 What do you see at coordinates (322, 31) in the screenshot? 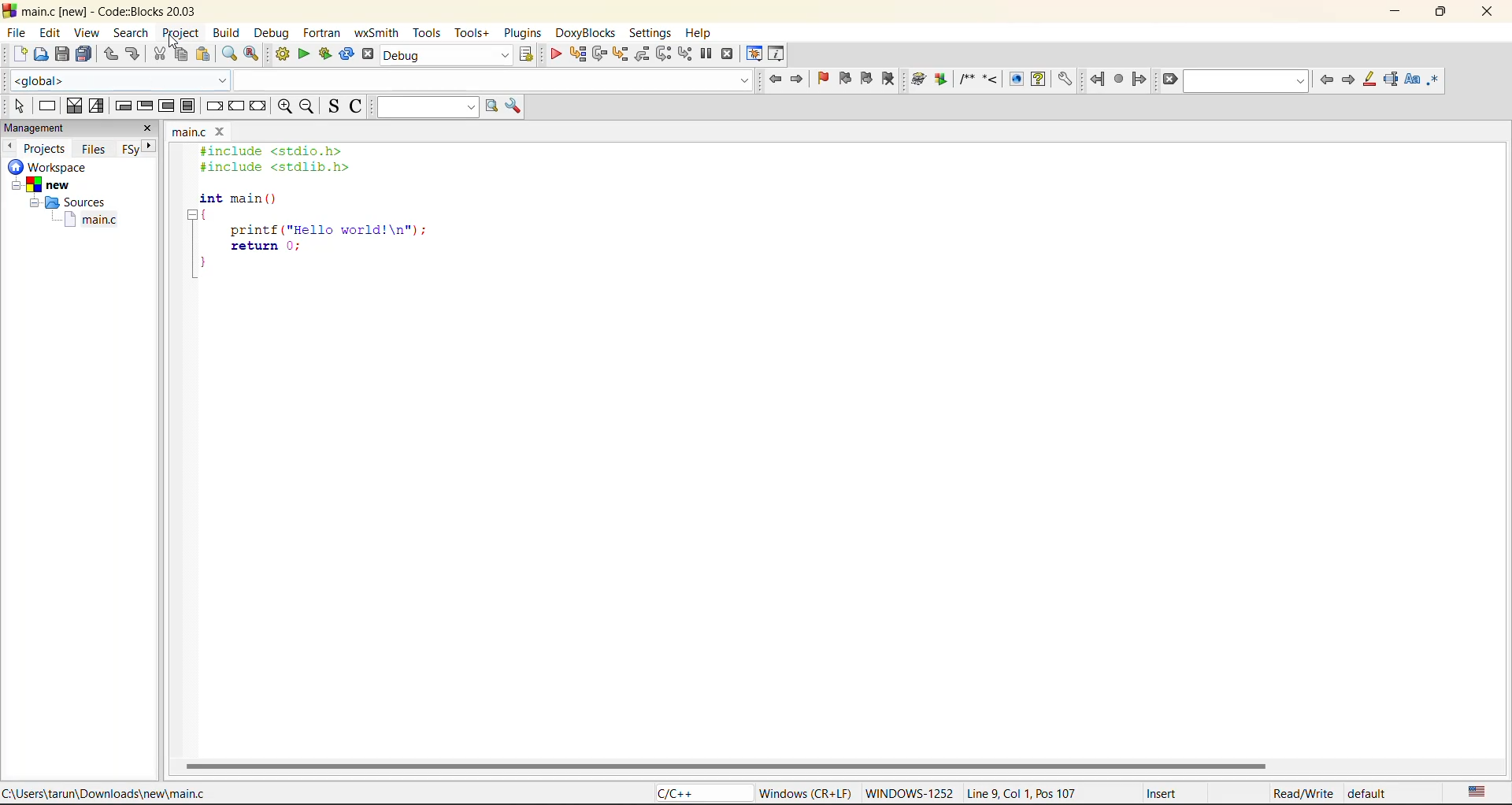
I see `fortran` at bounding box center [322, 31].